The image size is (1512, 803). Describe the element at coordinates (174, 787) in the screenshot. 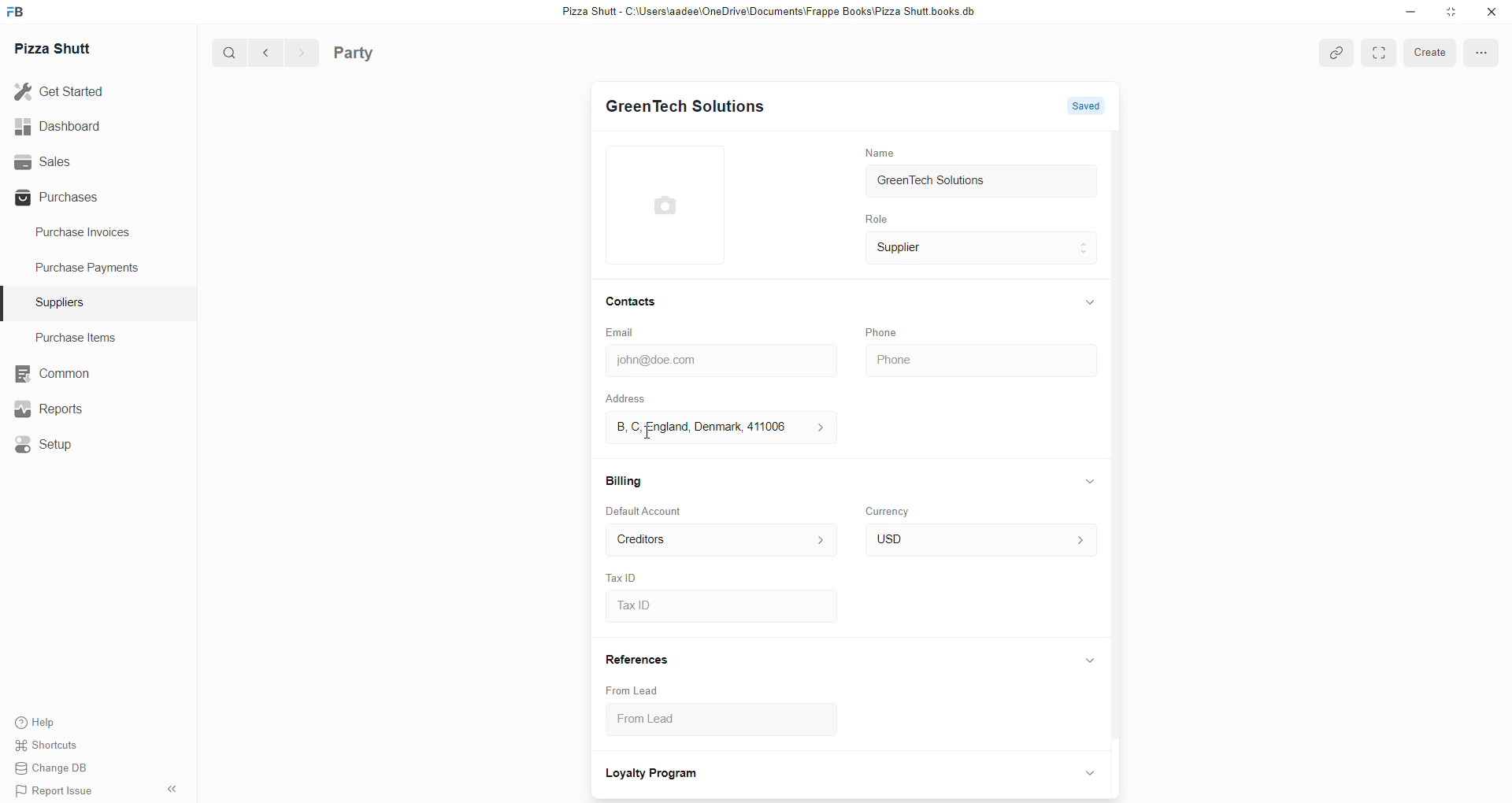

I see `hide ` at that location.